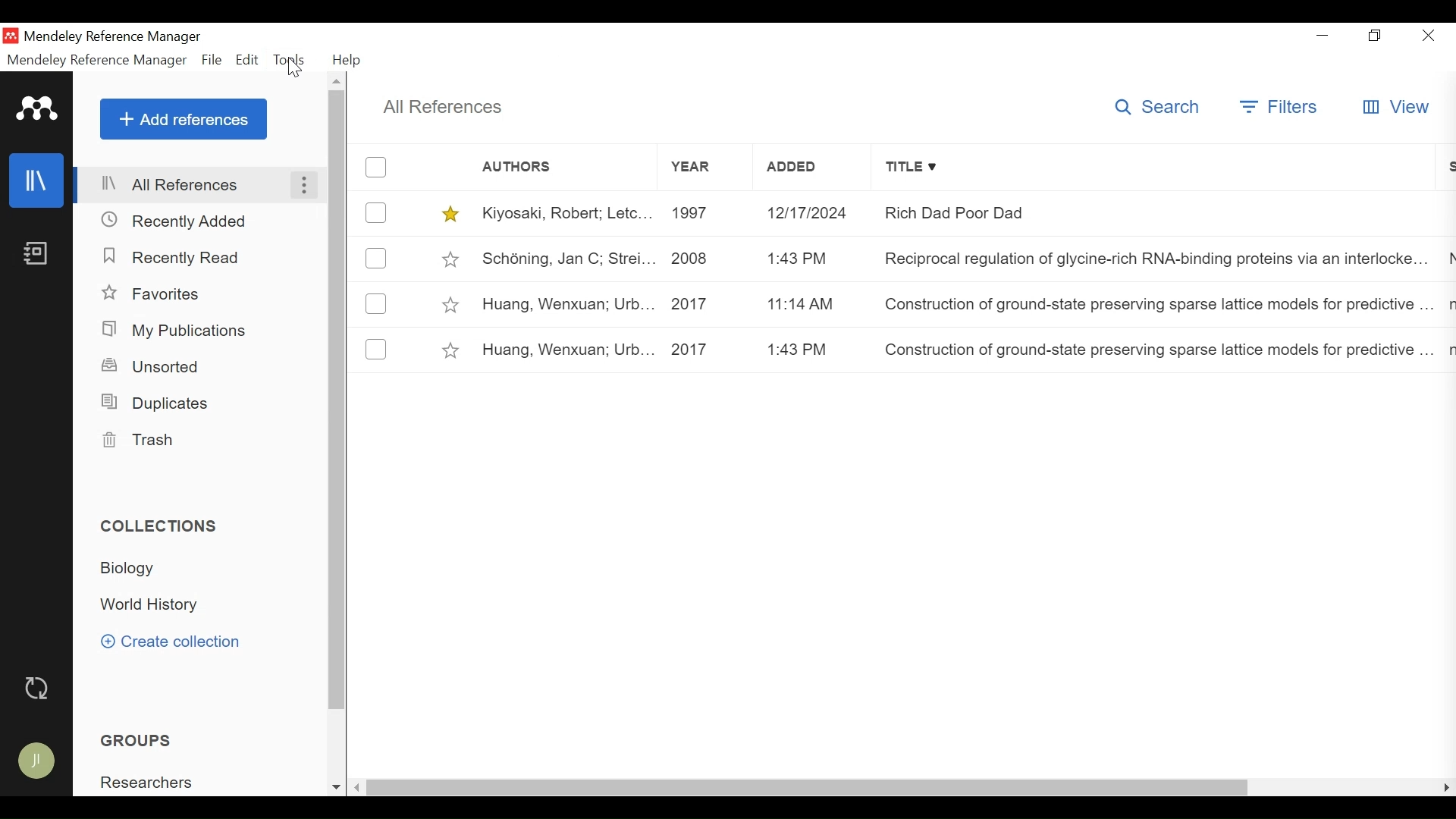 This screenshot has height=819, width=1456. I want to click on Create Collection, so click(169, 643).